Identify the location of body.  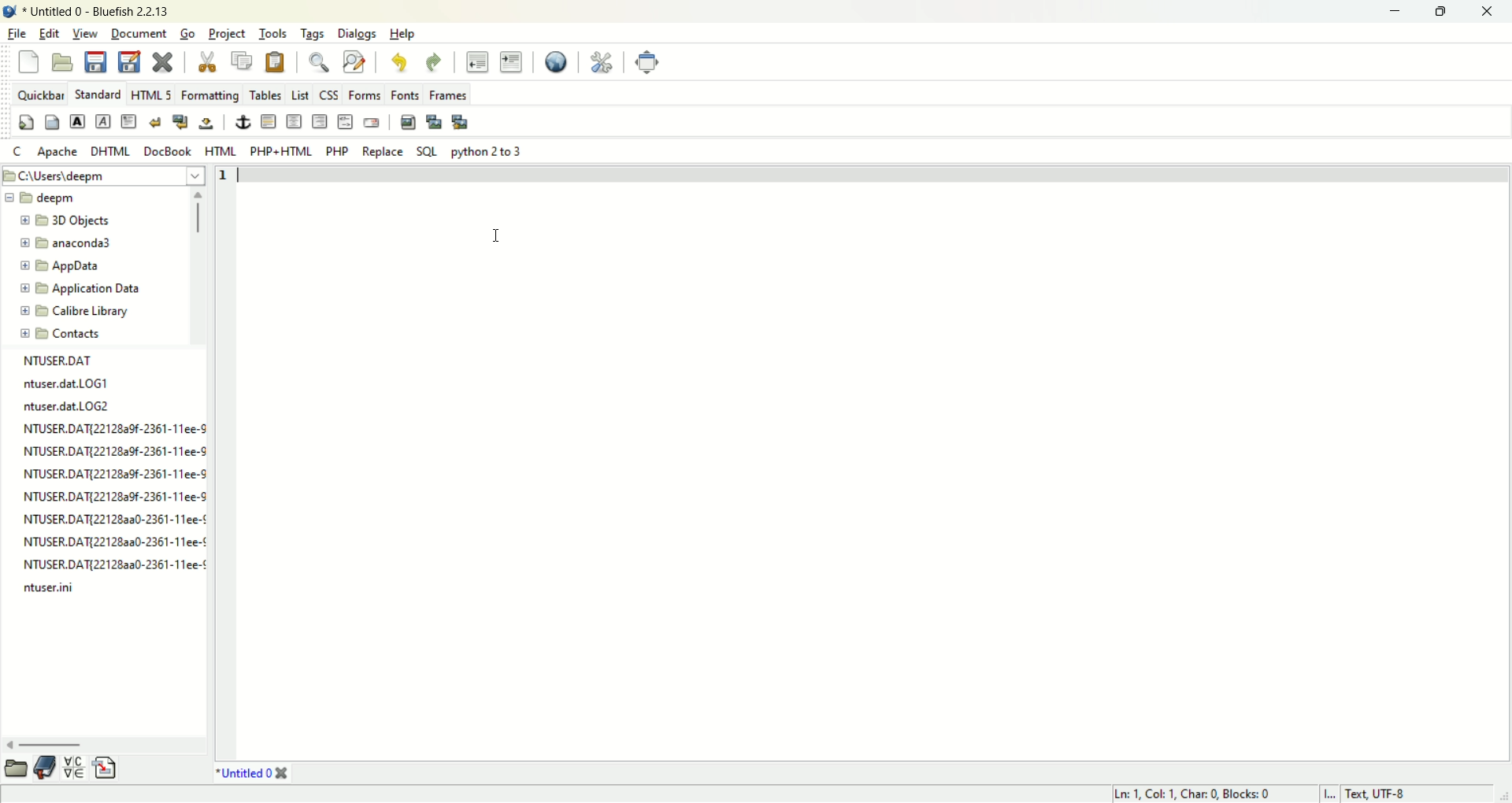
(50, 121).